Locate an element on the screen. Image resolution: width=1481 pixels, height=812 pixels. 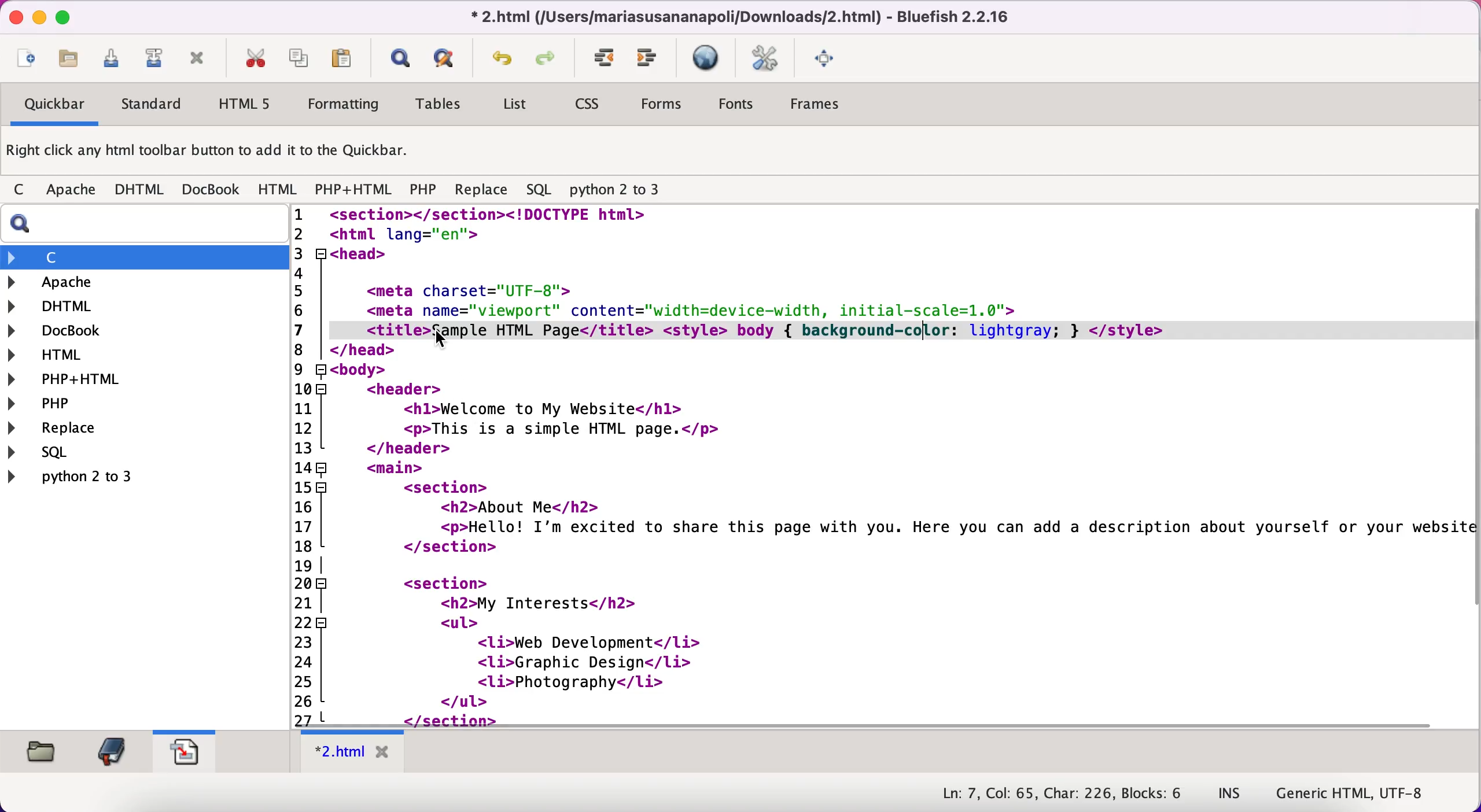
ins is located at coordinates (1230, 794).